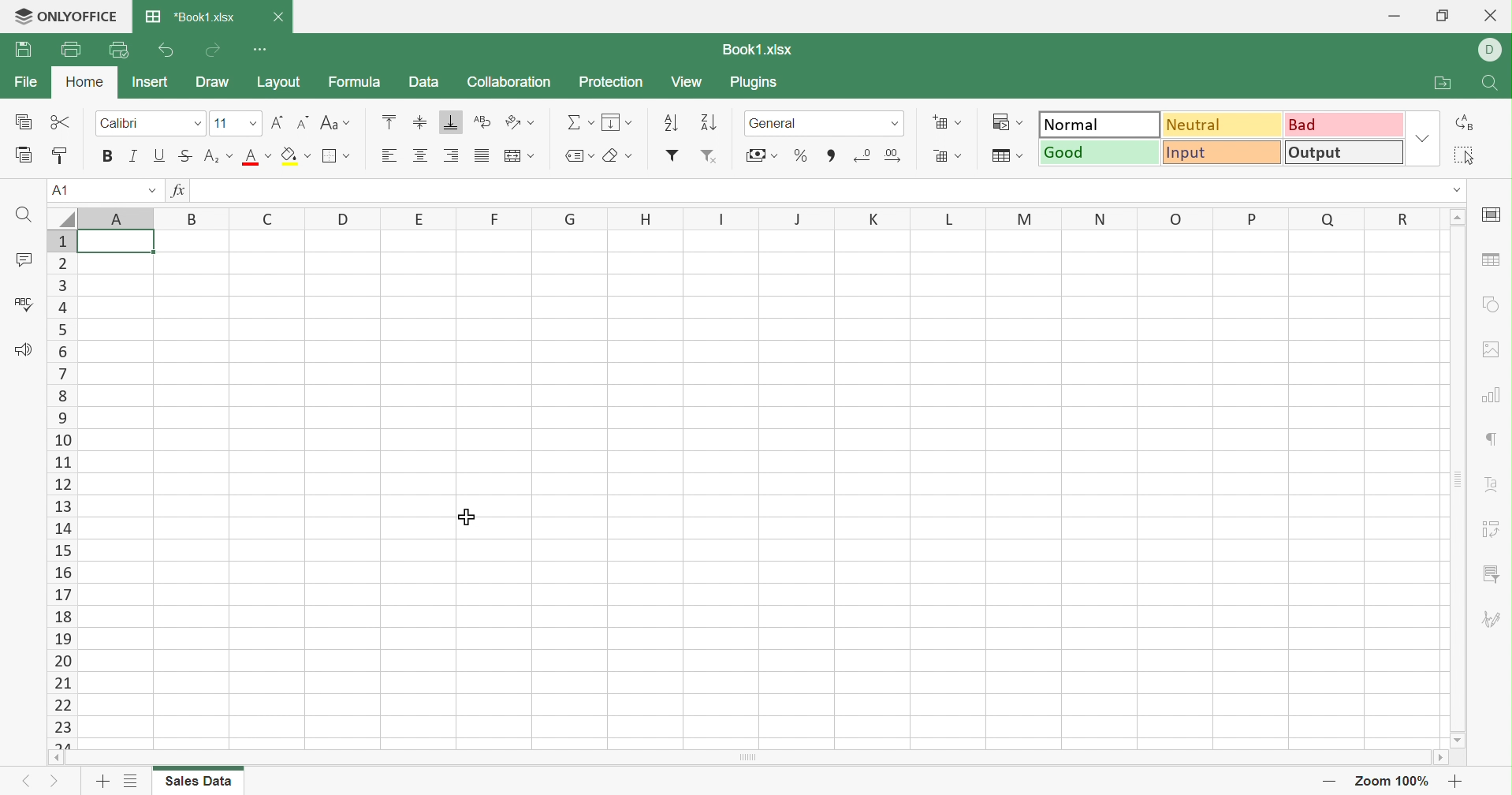  What do you see at coordinates (757, 48) in the screenshot?
I see `Book1.xlsx` at bounding box center [757, 48].